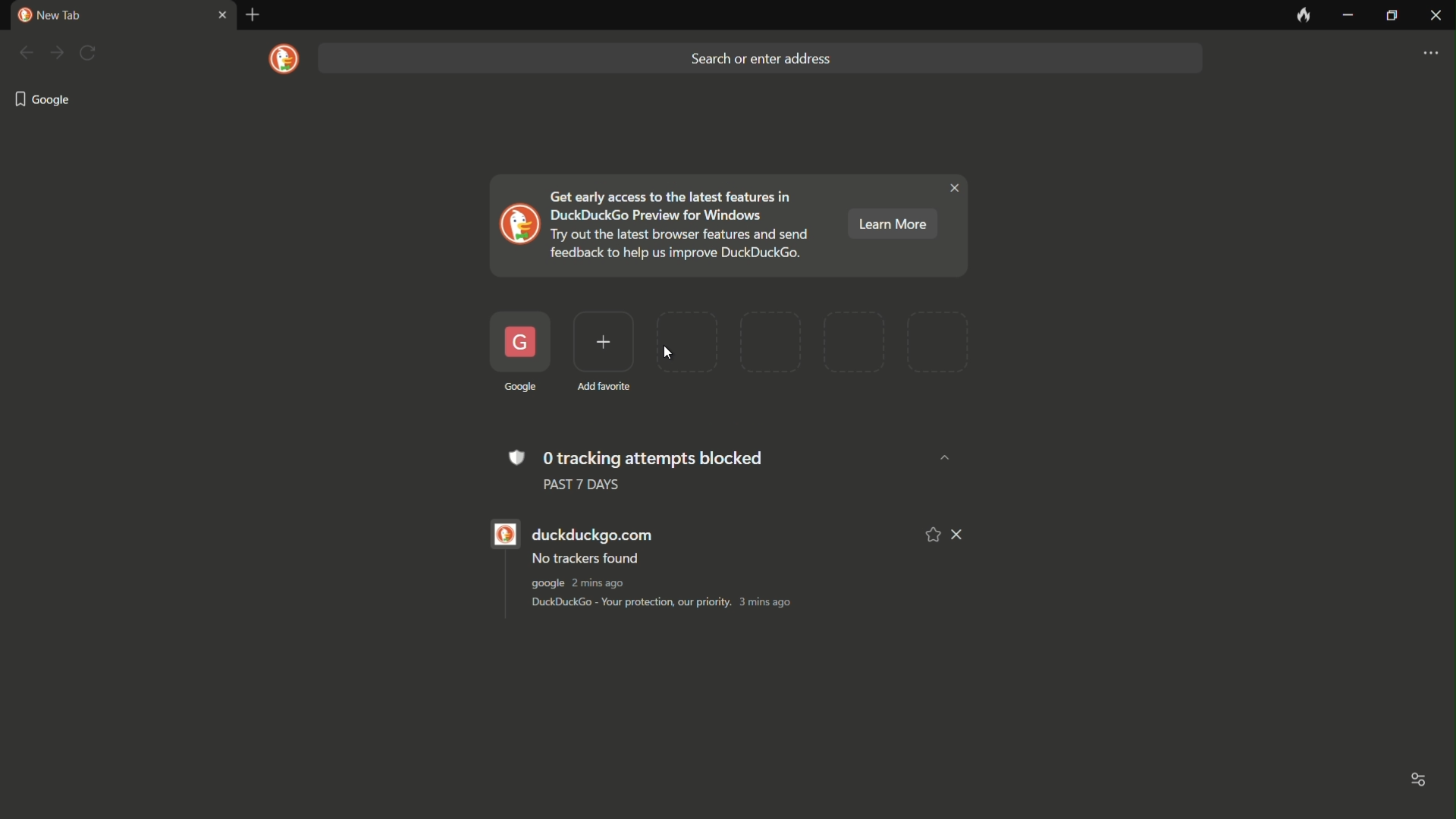 This screenshot has height=819, width=1456. I want to click on close app, so click(1435, 16).